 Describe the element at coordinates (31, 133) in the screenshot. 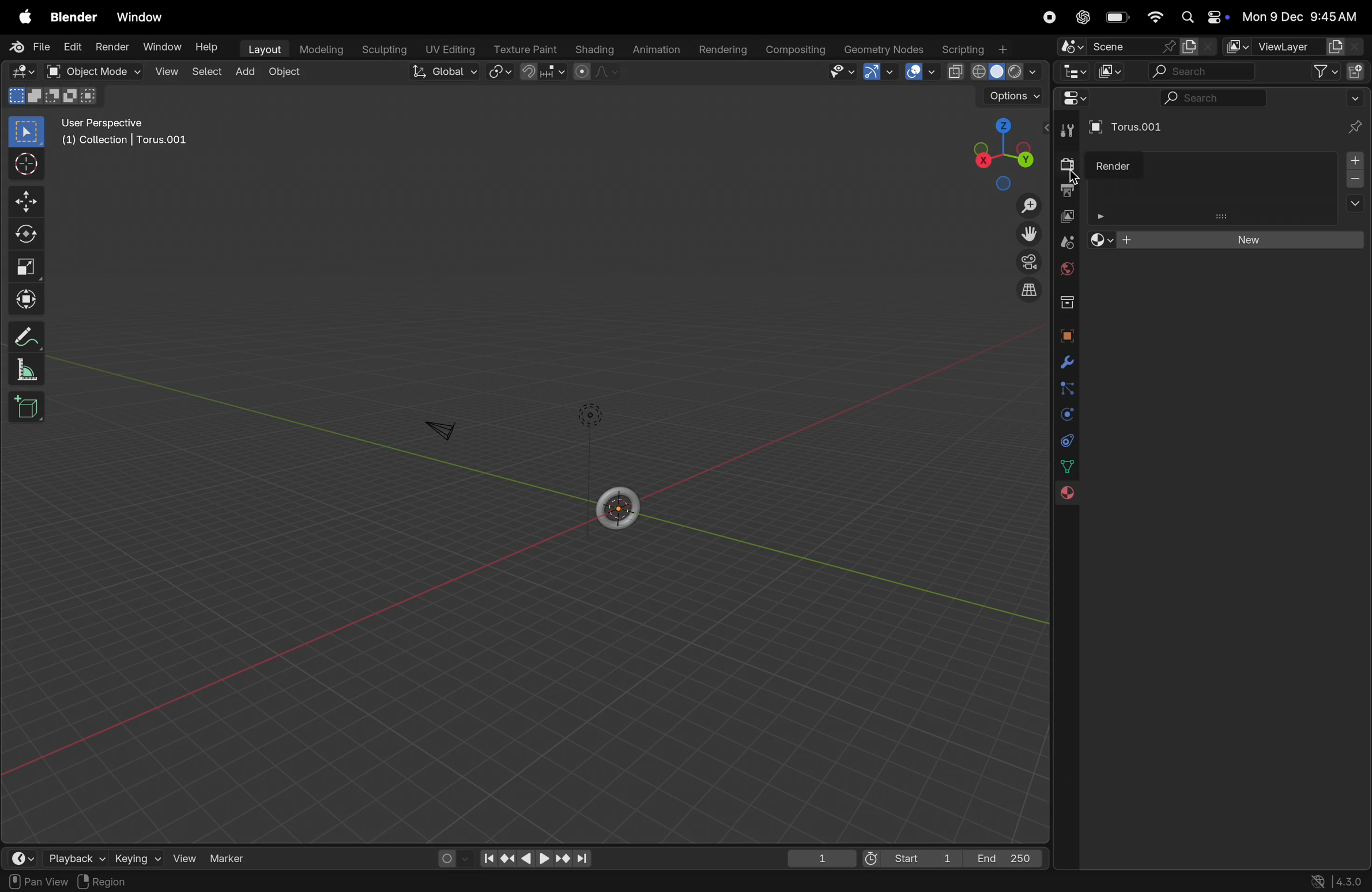

I see `select boss` at that location.